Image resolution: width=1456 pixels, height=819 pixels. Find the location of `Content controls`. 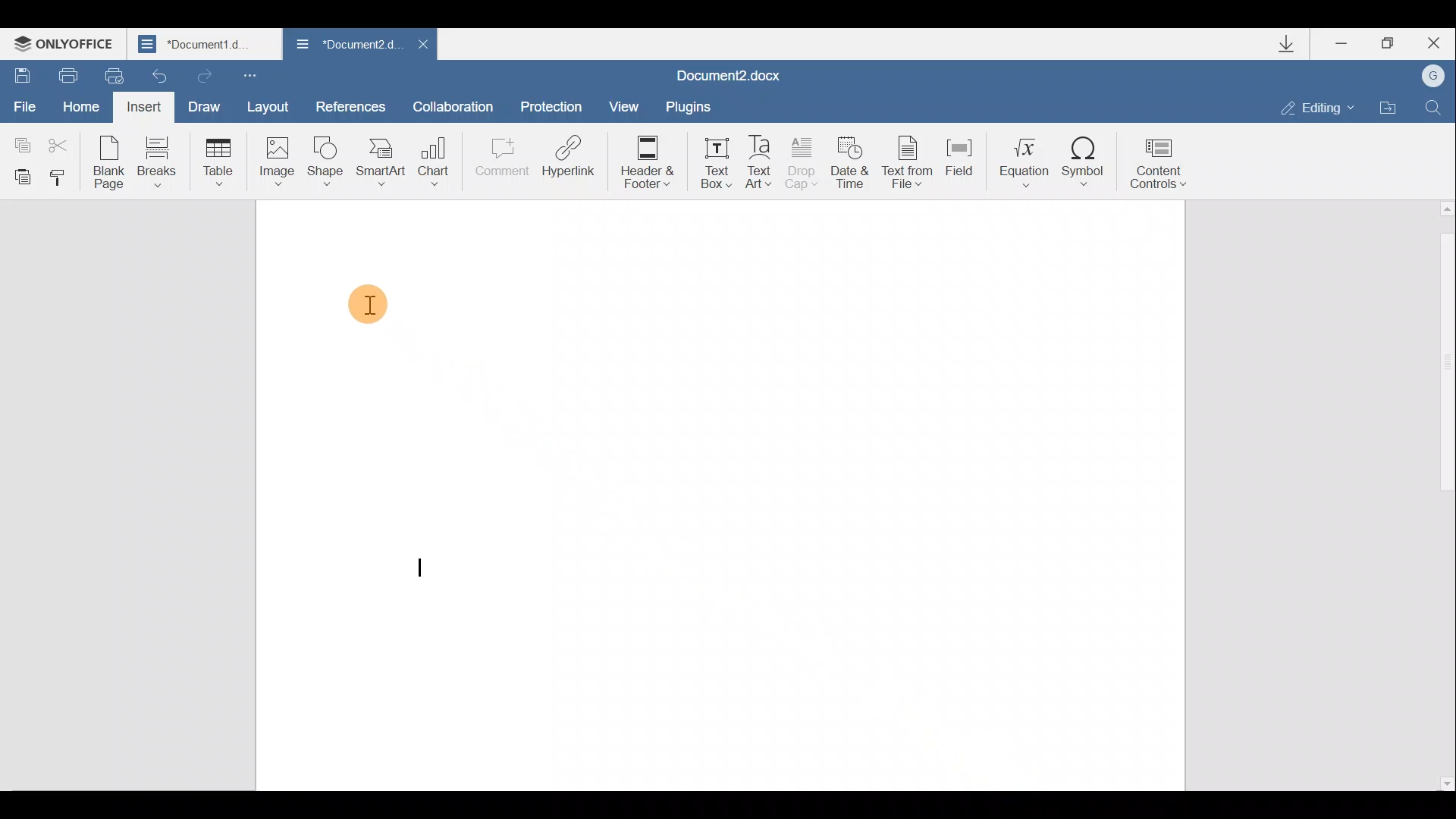

Content controls is located at coordinates (1162, 167).